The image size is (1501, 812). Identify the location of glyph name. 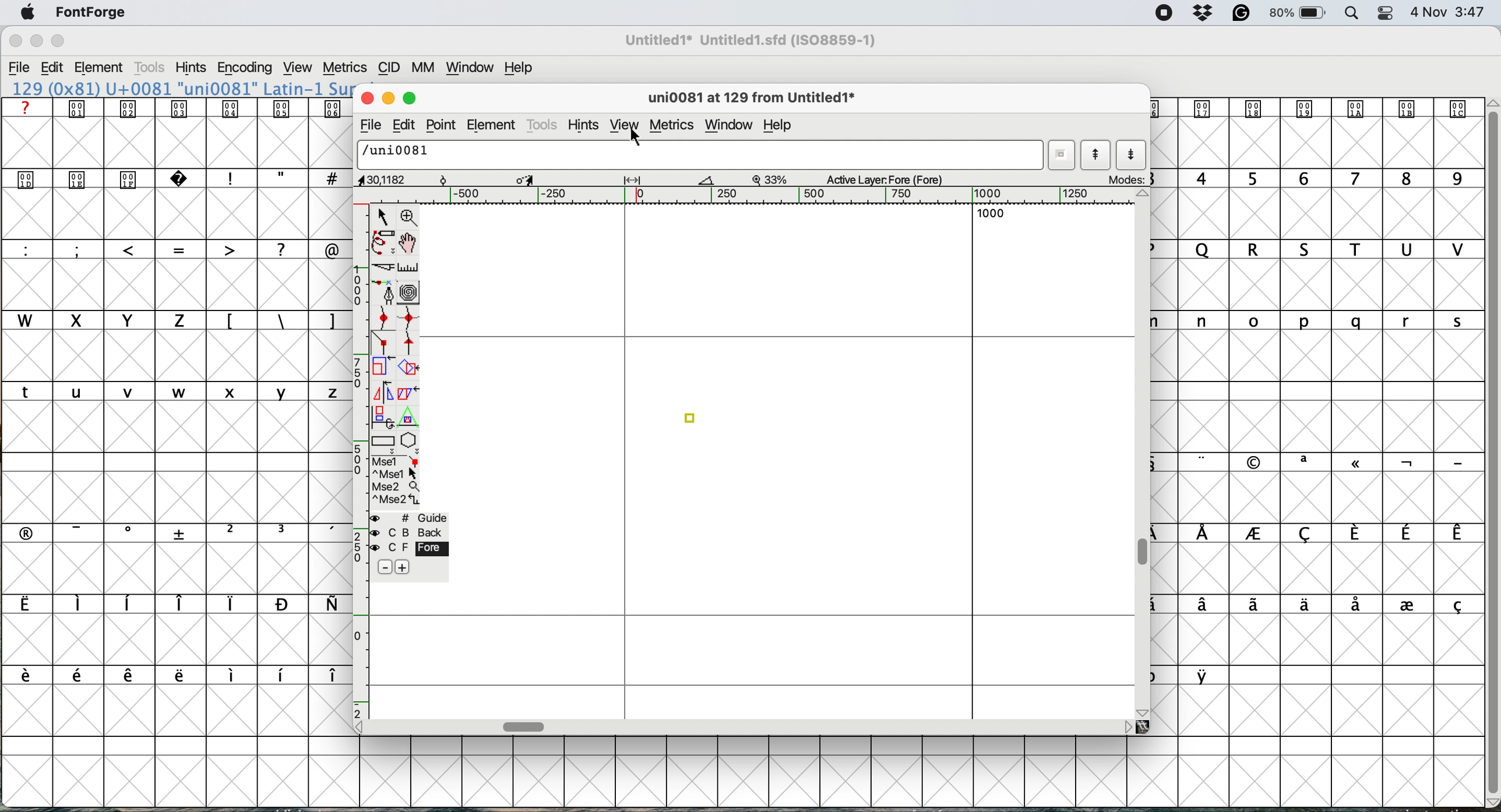
(747, 98).